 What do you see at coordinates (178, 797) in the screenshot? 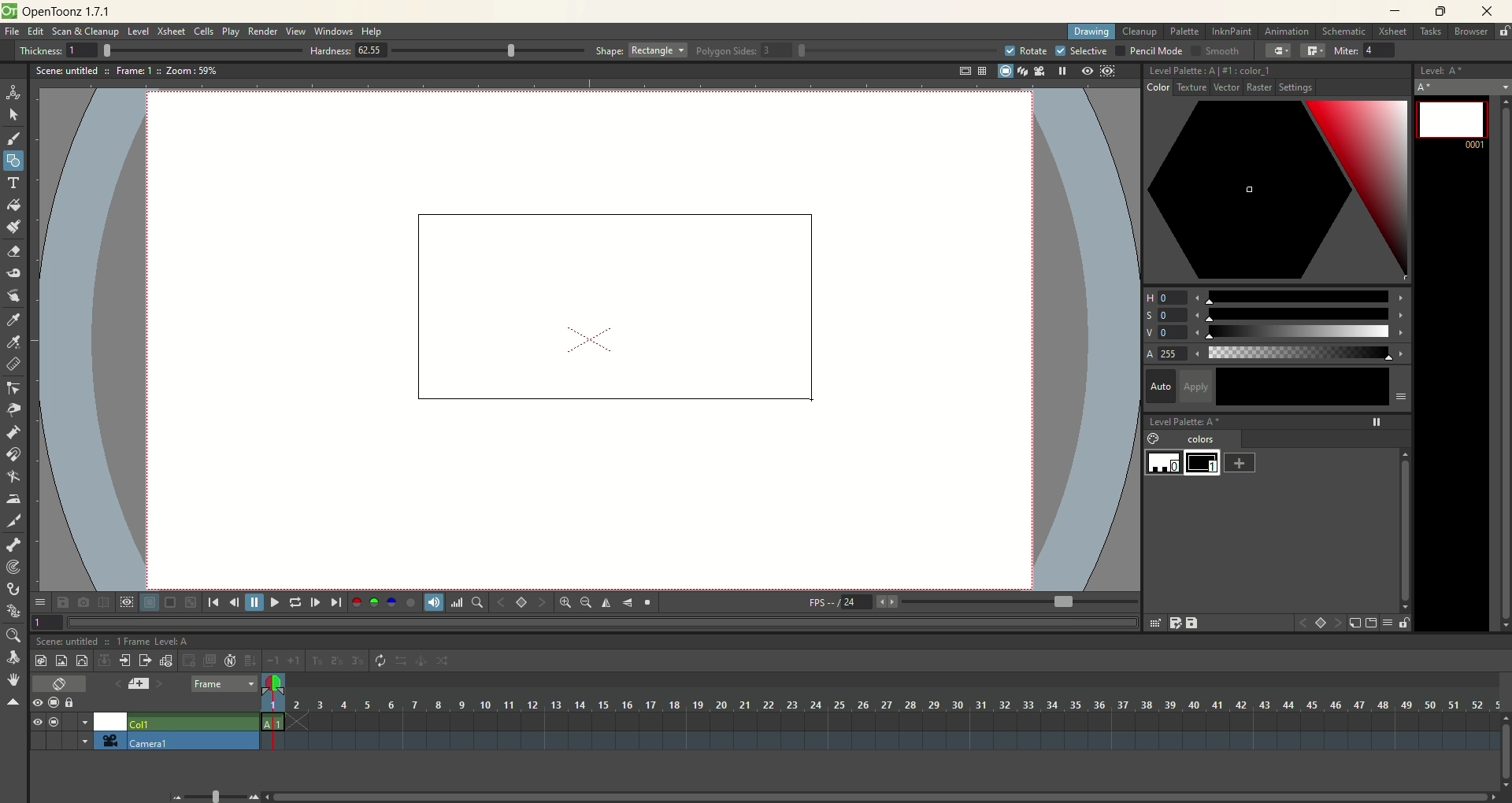
I see `zoom out` at bounding box center [178, 797].